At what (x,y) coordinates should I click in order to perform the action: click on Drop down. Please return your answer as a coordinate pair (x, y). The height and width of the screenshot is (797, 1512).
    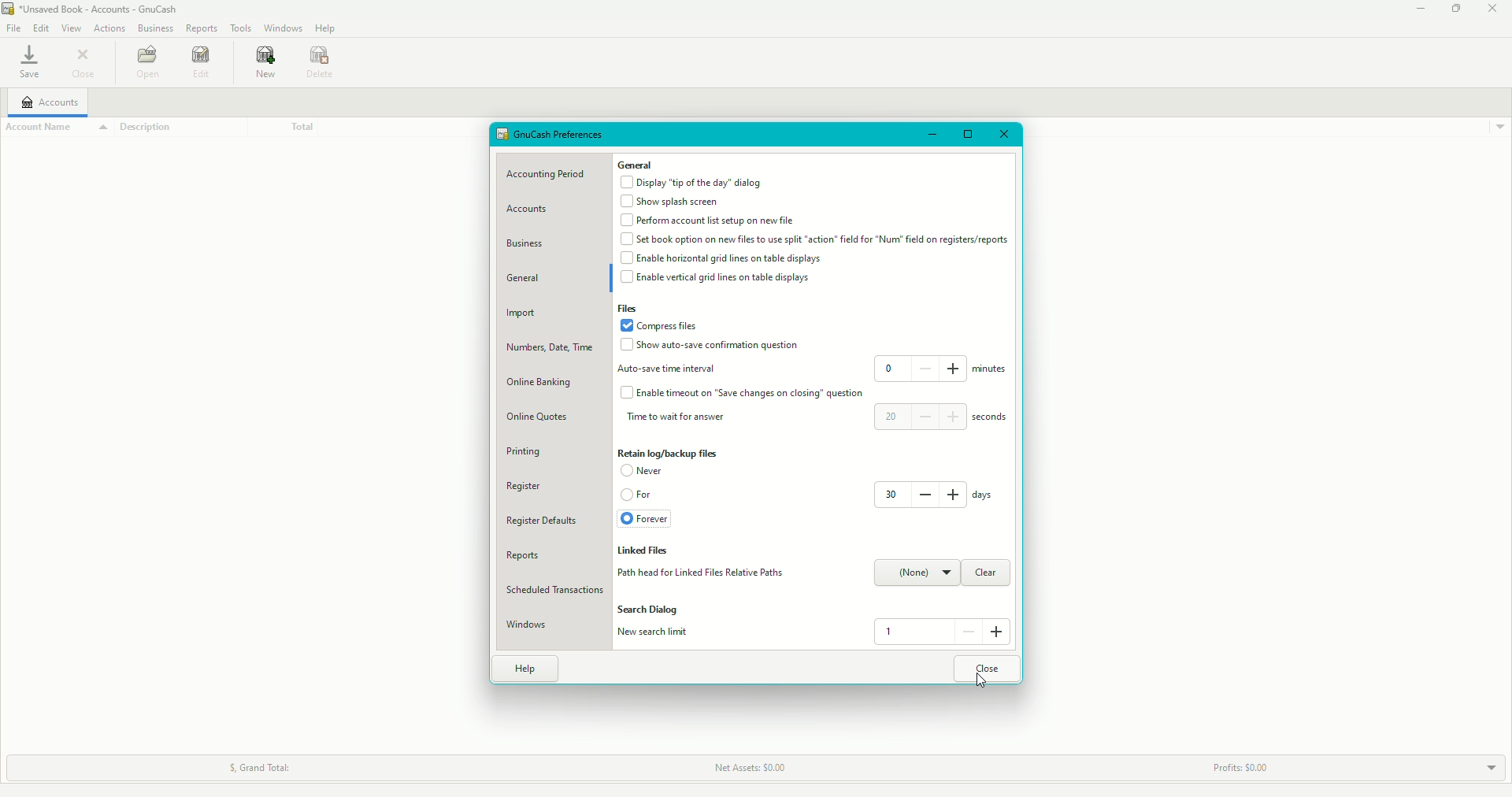
    Looking at the image, I should click on (1499, 127).